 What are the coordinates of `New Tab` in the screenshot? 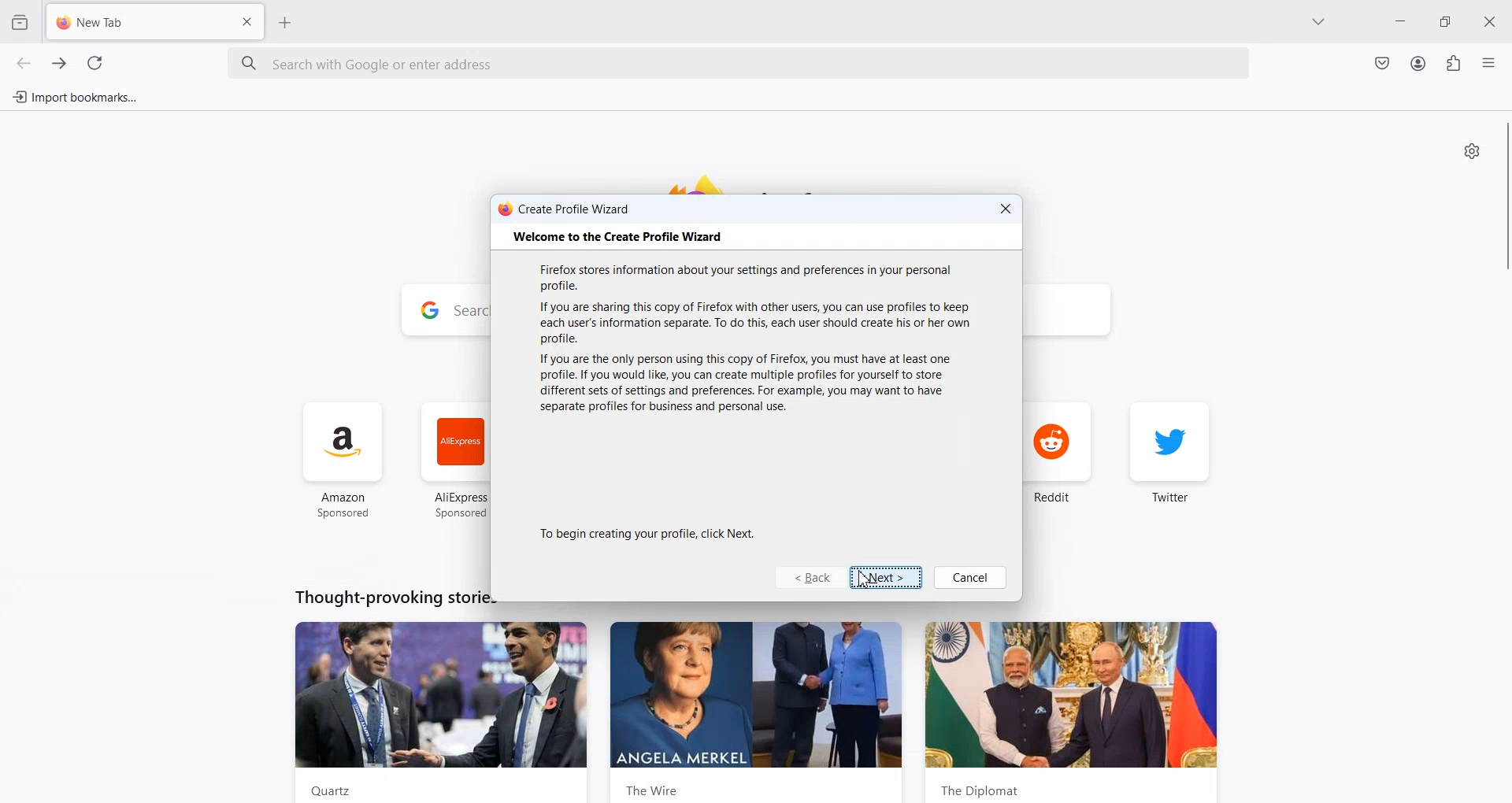 It's located at (132, 23).